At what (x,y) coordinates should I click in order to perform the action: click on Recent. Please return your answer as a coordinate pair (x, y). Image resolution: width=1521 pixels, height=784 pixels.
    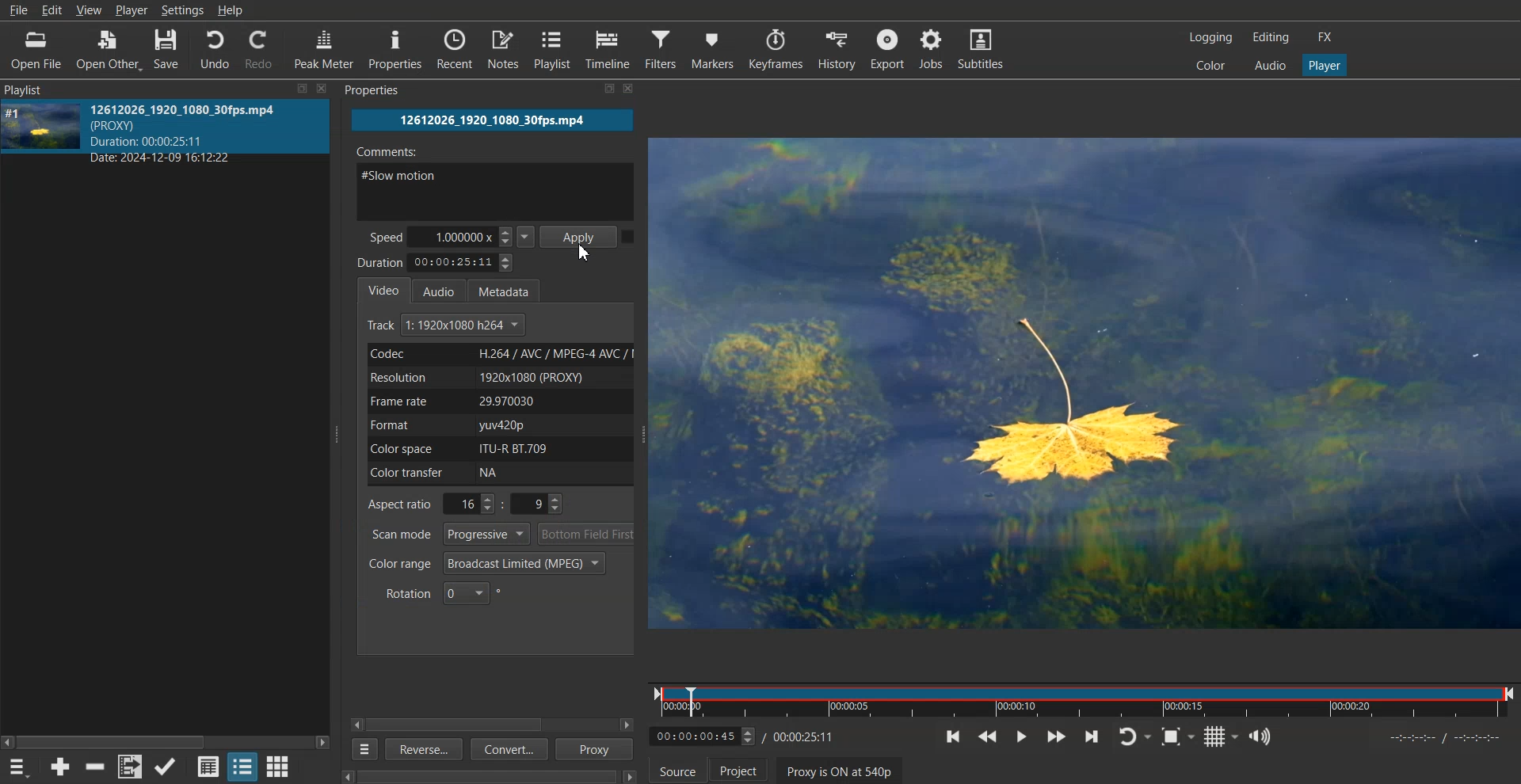
    Looking at the image, I should click on (455, 49).